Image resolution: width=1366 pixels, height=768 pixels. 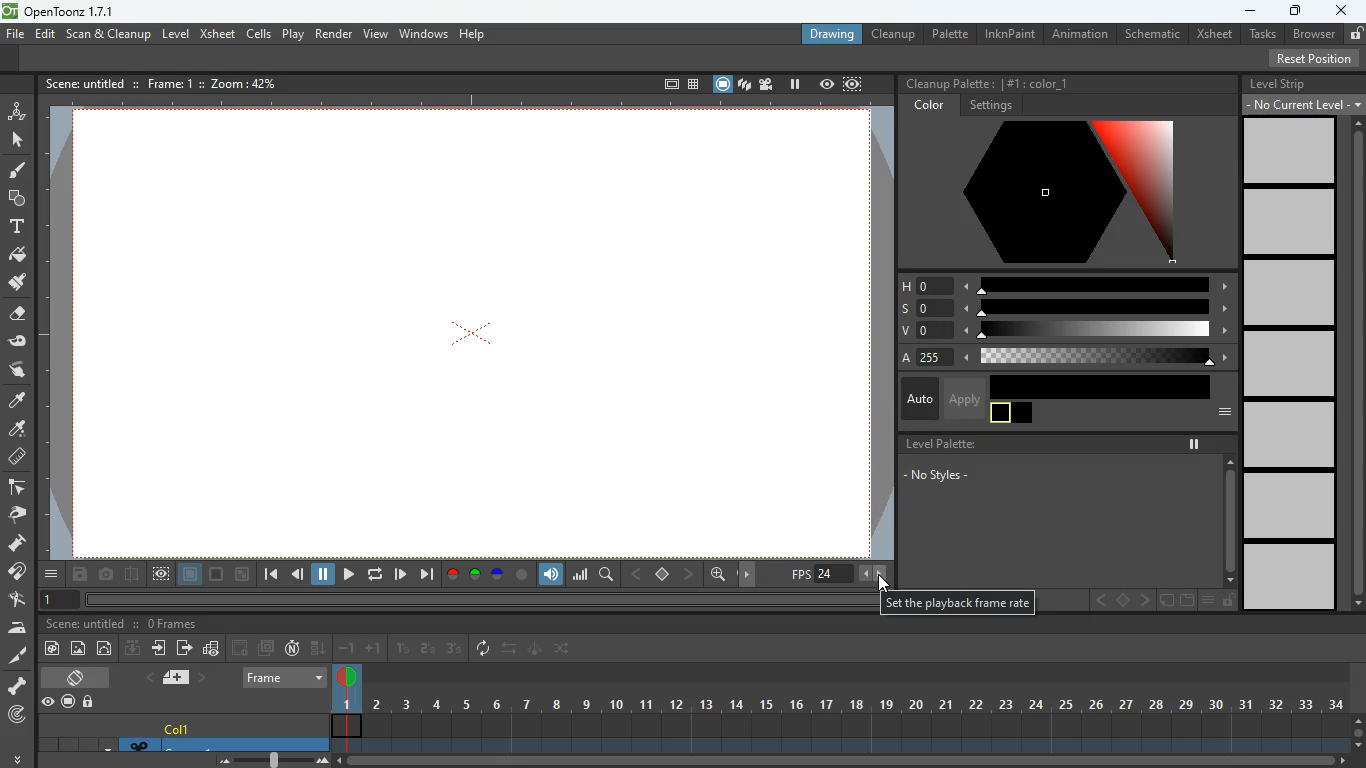 What do you see at coordinates (170, 84) in the screenshot?
I see `frame` at bounding box center [170, 84].